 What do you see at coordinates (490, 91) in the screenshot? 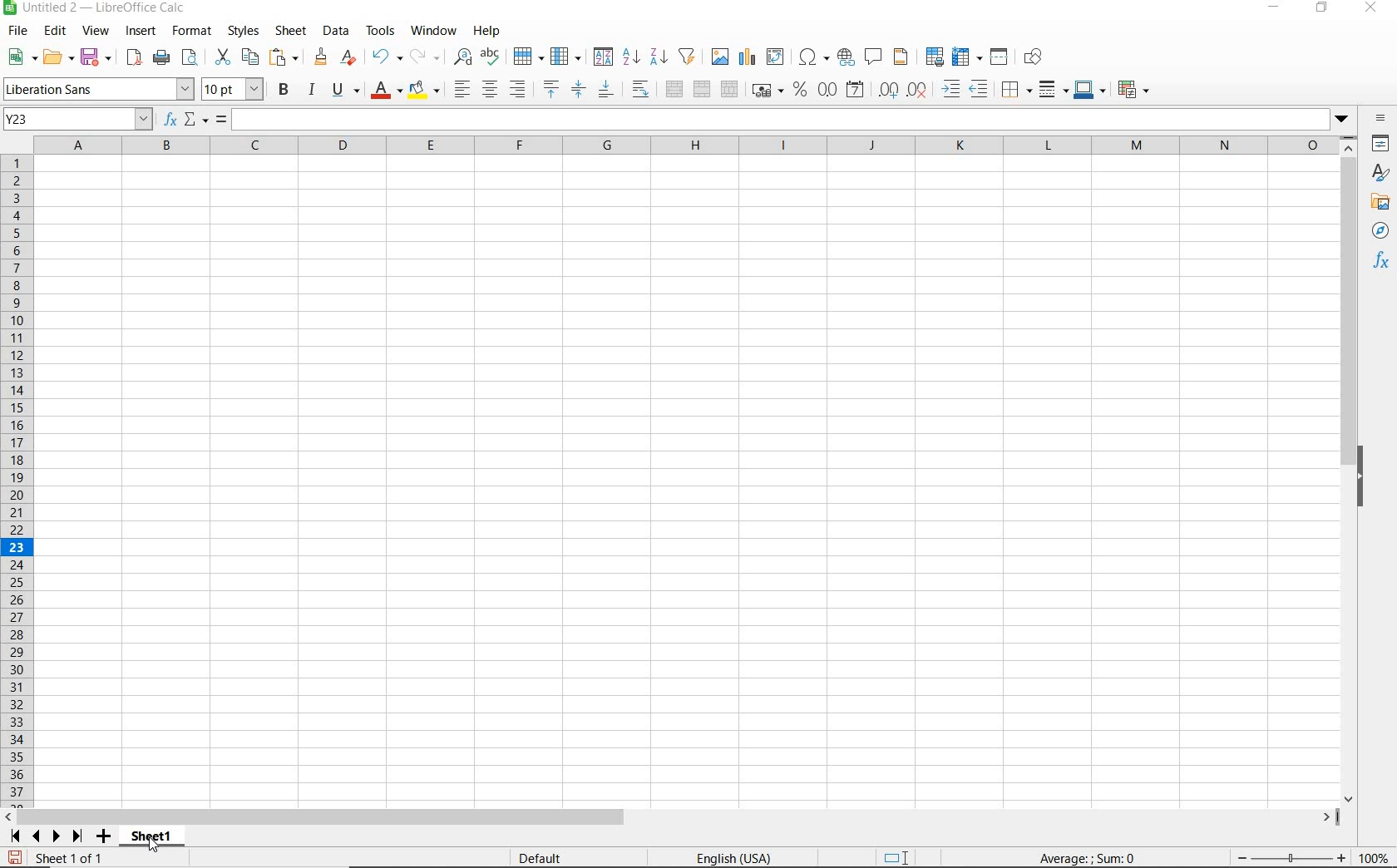
I see `ALIGN CENTER` at bounding box center [490, 91].